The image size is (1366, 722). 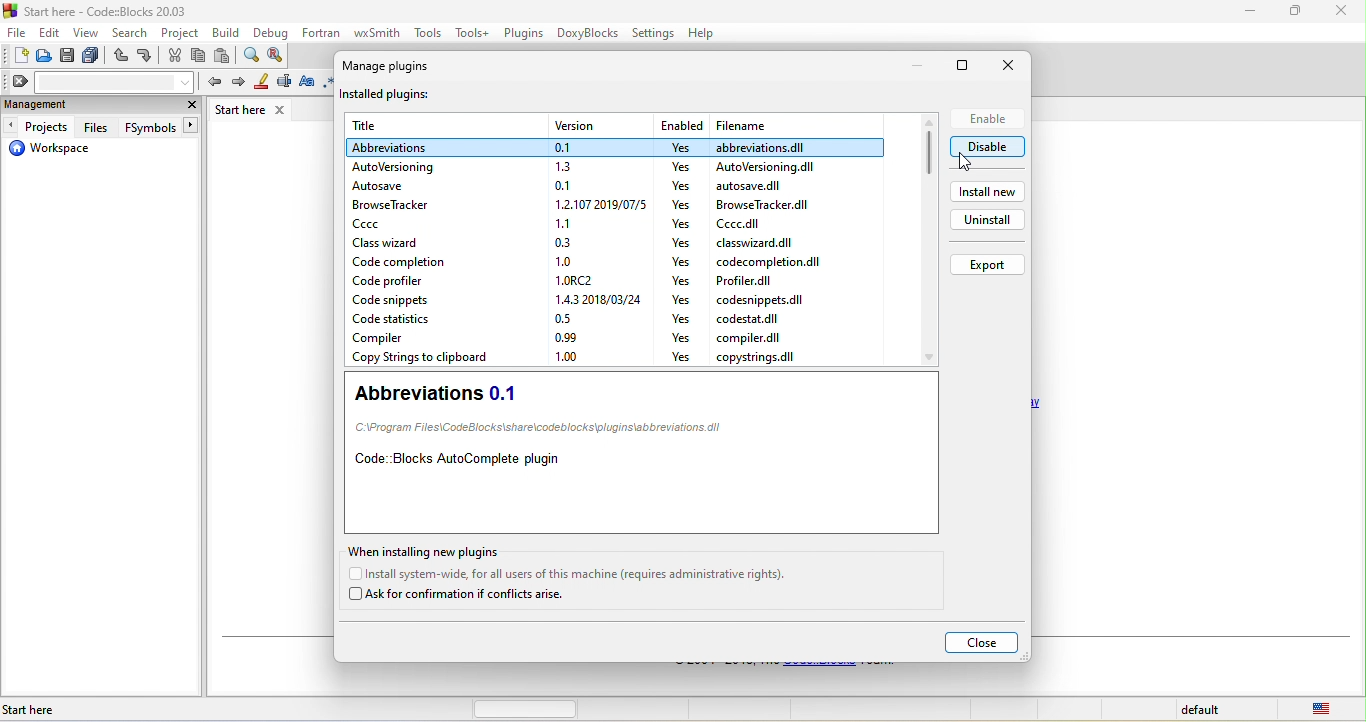 What do you see at coordinates (745, 223) in the screenshot?
I see `file` at bounding box center [745, 223].